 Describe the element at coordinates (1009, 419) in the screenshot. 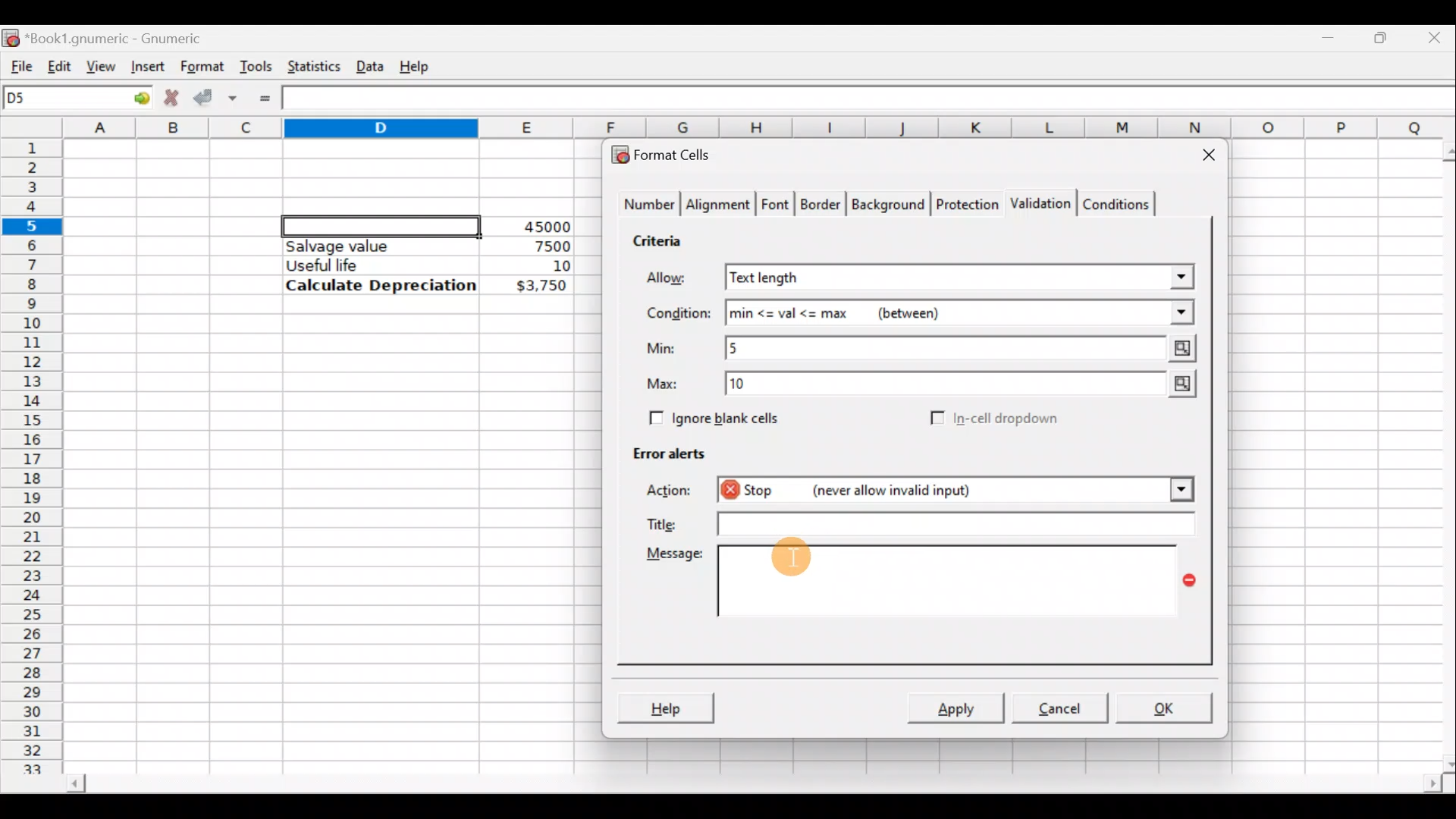

I see `In-cell dropdown` at that location.